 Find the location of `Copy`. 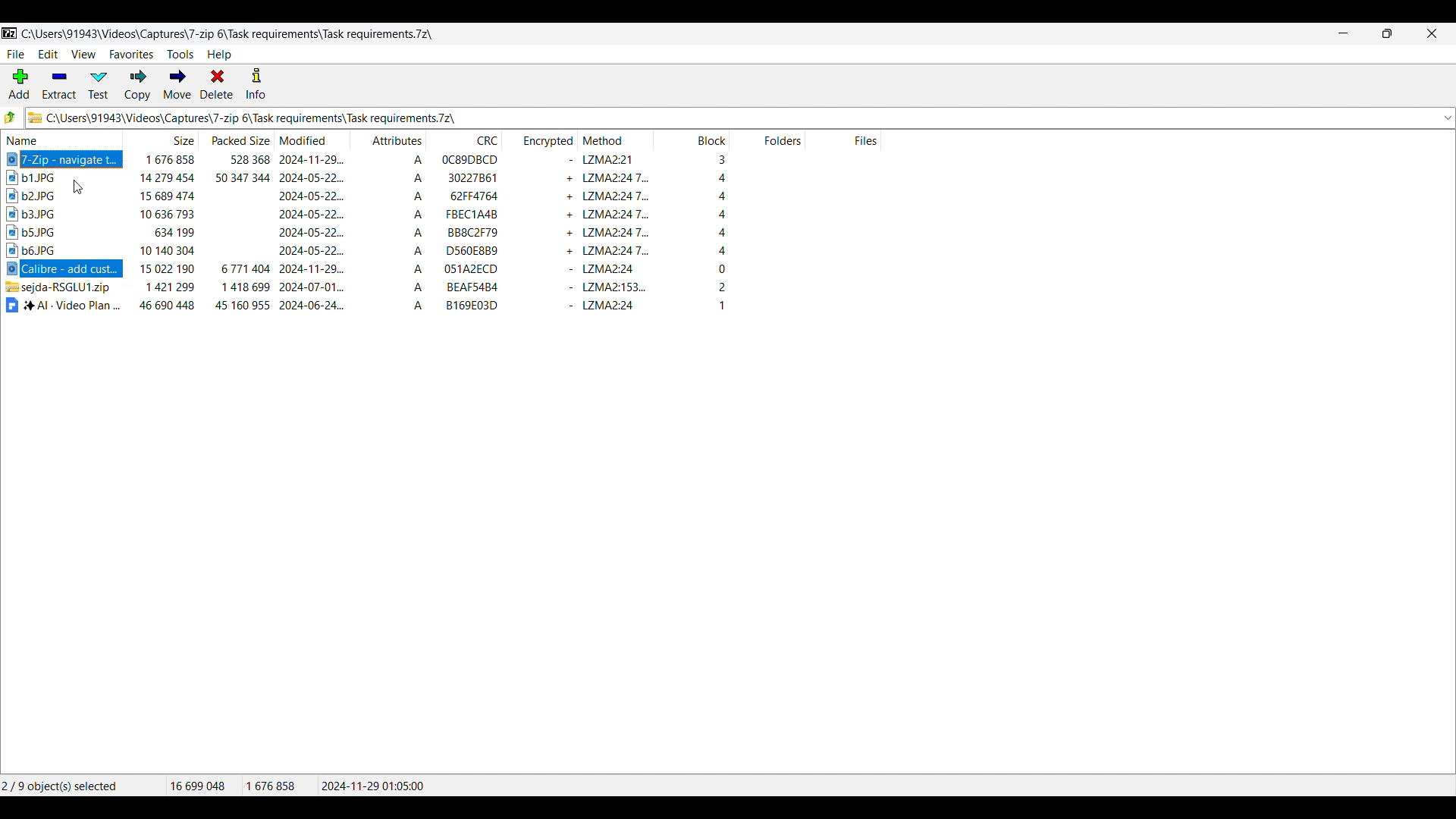

Copy is located at coordinates (137, 84).